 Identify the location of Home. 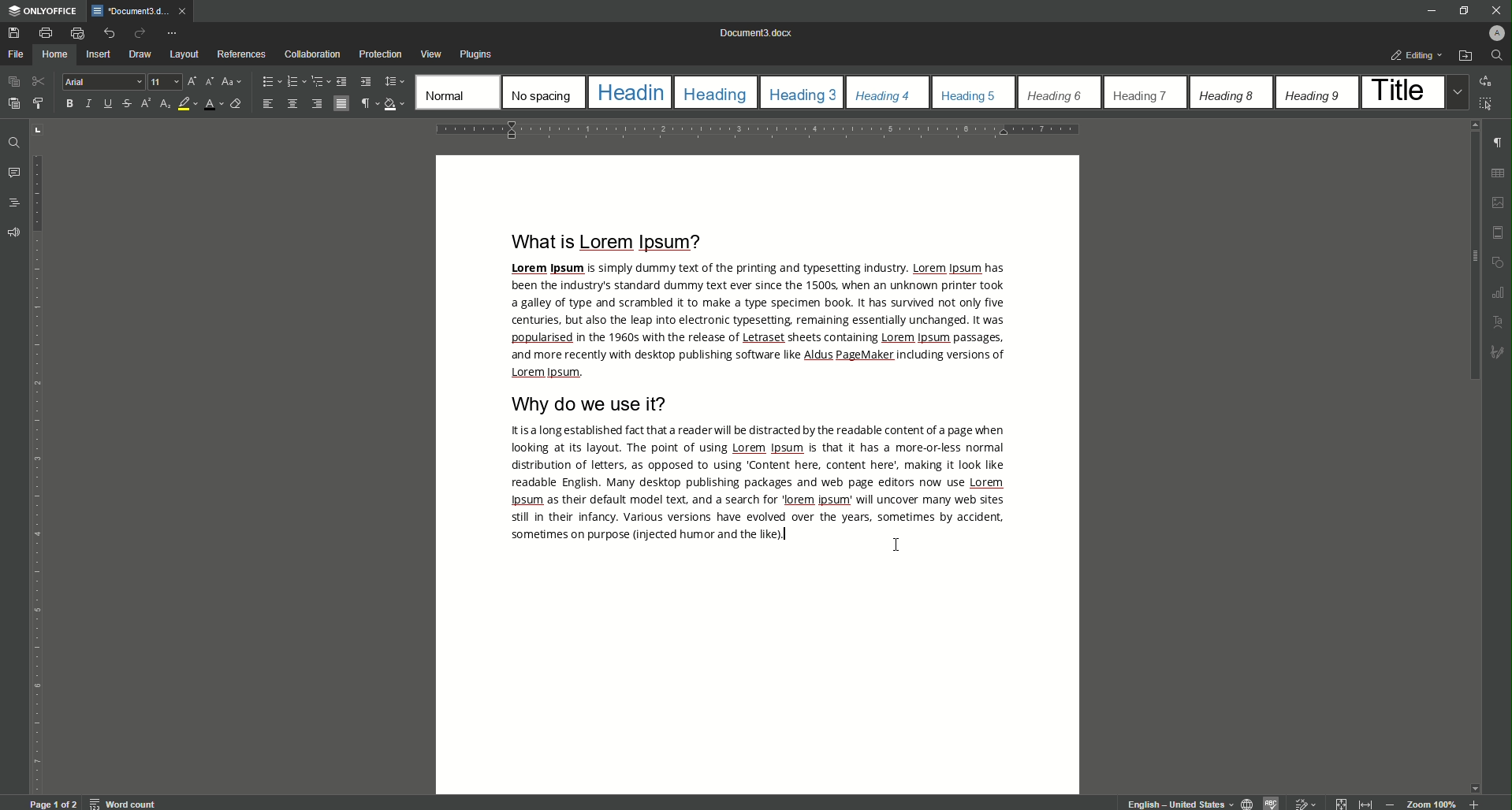
(57, 54).